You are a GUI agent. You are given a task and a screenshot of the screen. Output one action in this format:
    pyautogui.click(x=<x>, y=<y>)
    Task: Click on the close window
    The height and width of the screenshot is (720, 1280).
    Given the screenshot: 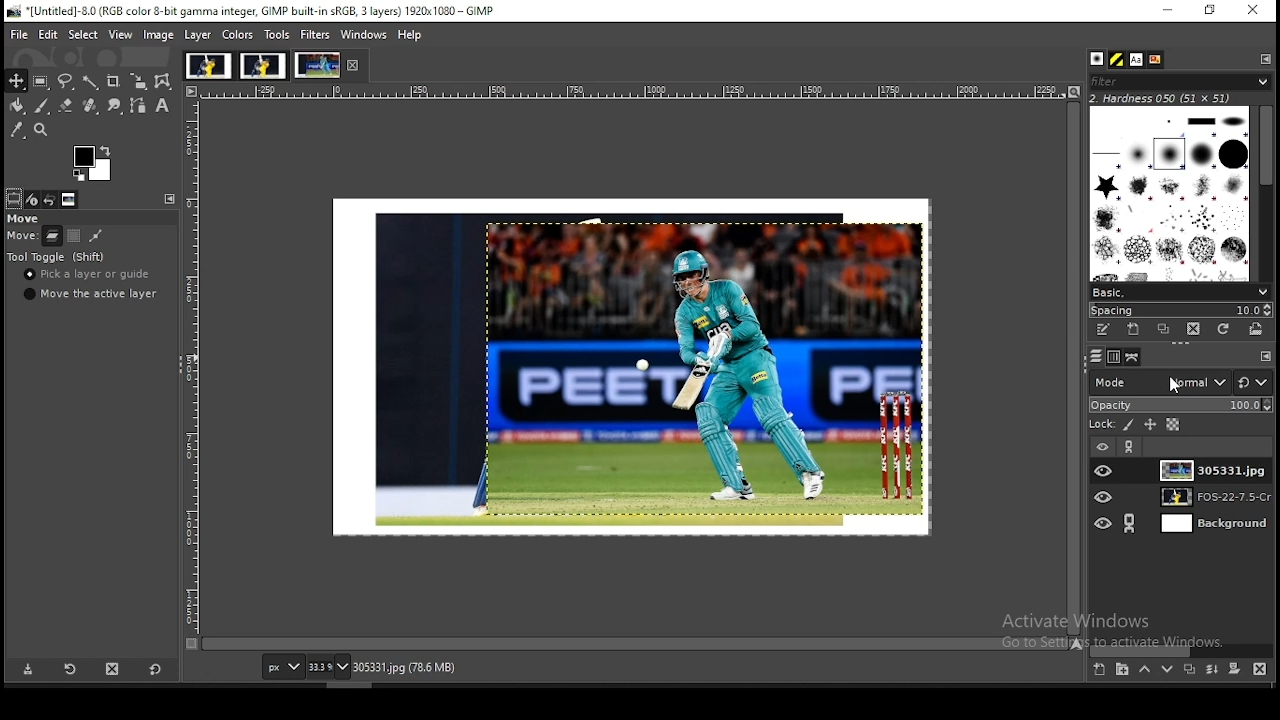 What is the action you would take?
    pyautogui.click(x=1255, y=12)
    